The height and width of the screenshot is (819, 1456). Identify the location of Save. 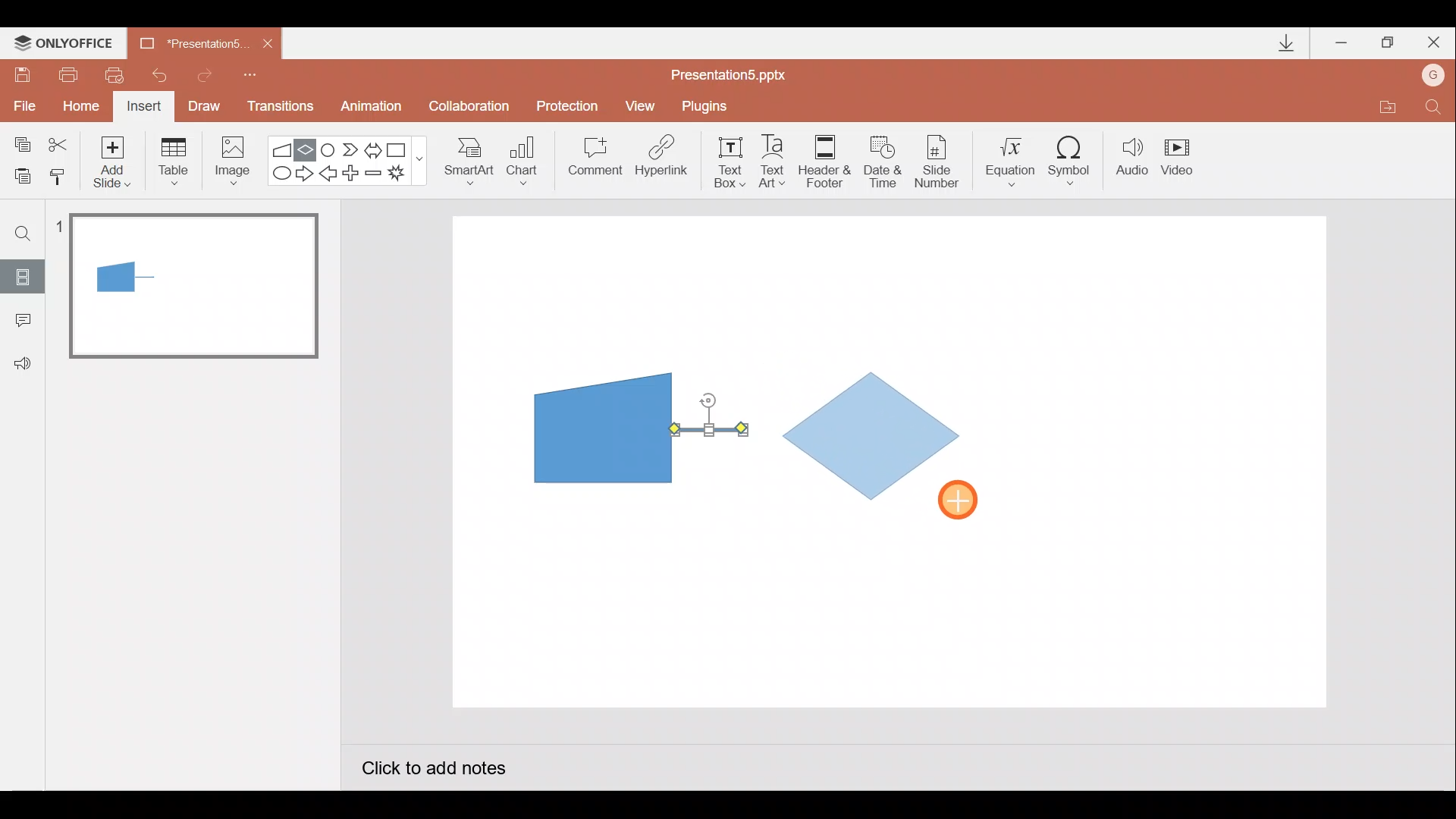
(21, 72).